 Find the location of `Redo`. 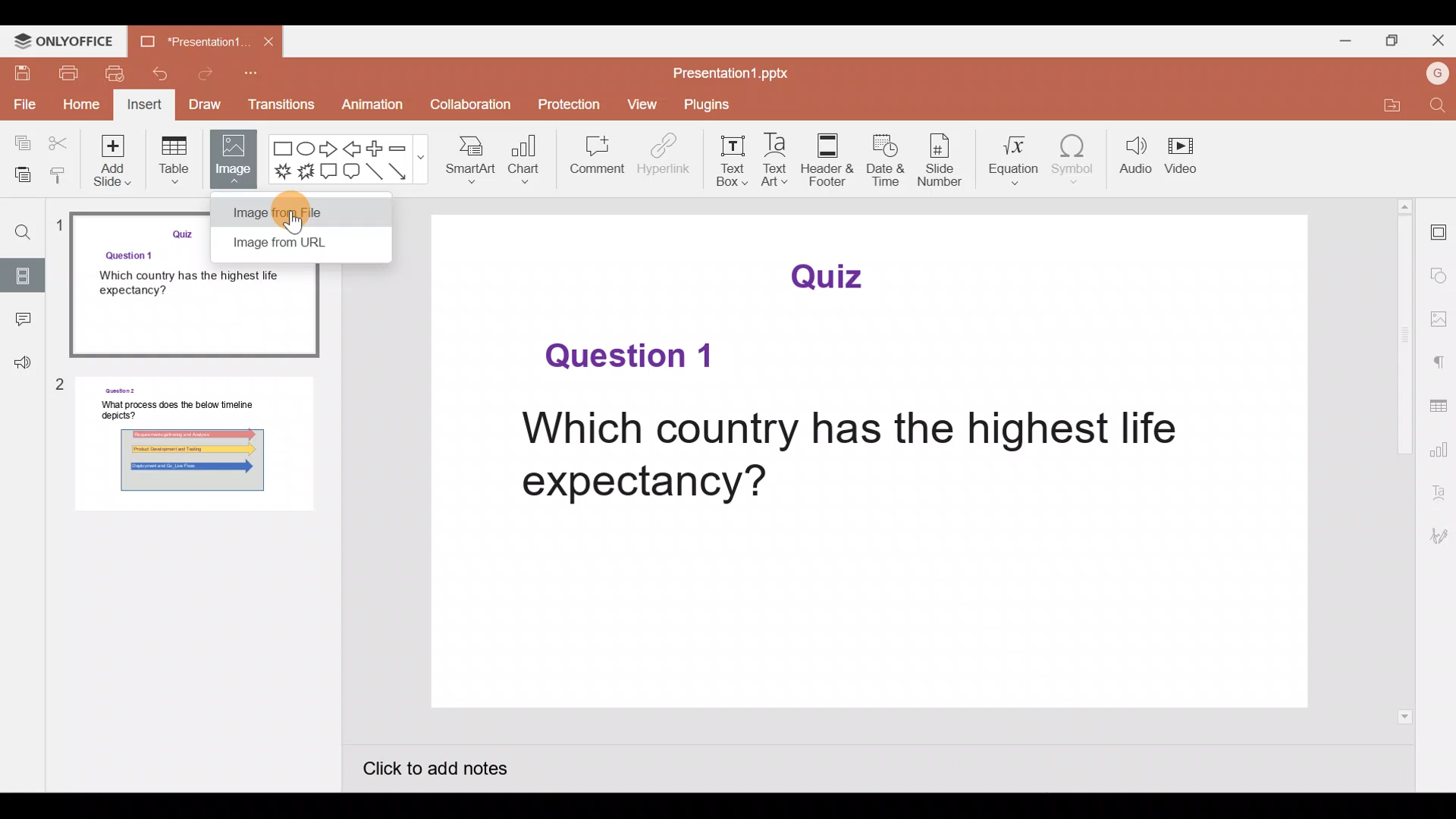

Redo is located at coordinates (215, 71).